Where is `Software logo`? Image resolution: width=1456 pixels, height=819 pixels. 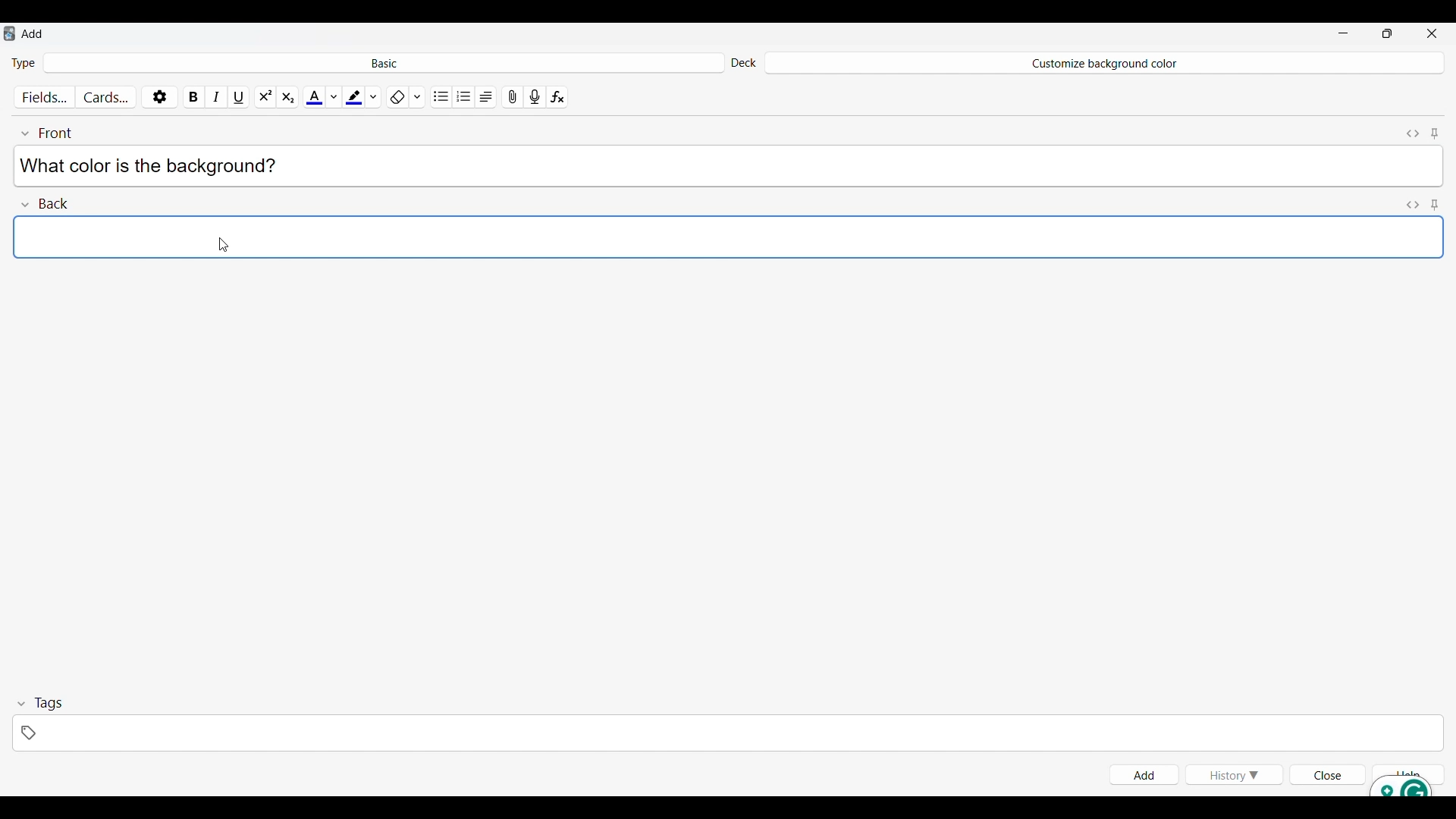 Software logo is located at coordinates (9, 33).